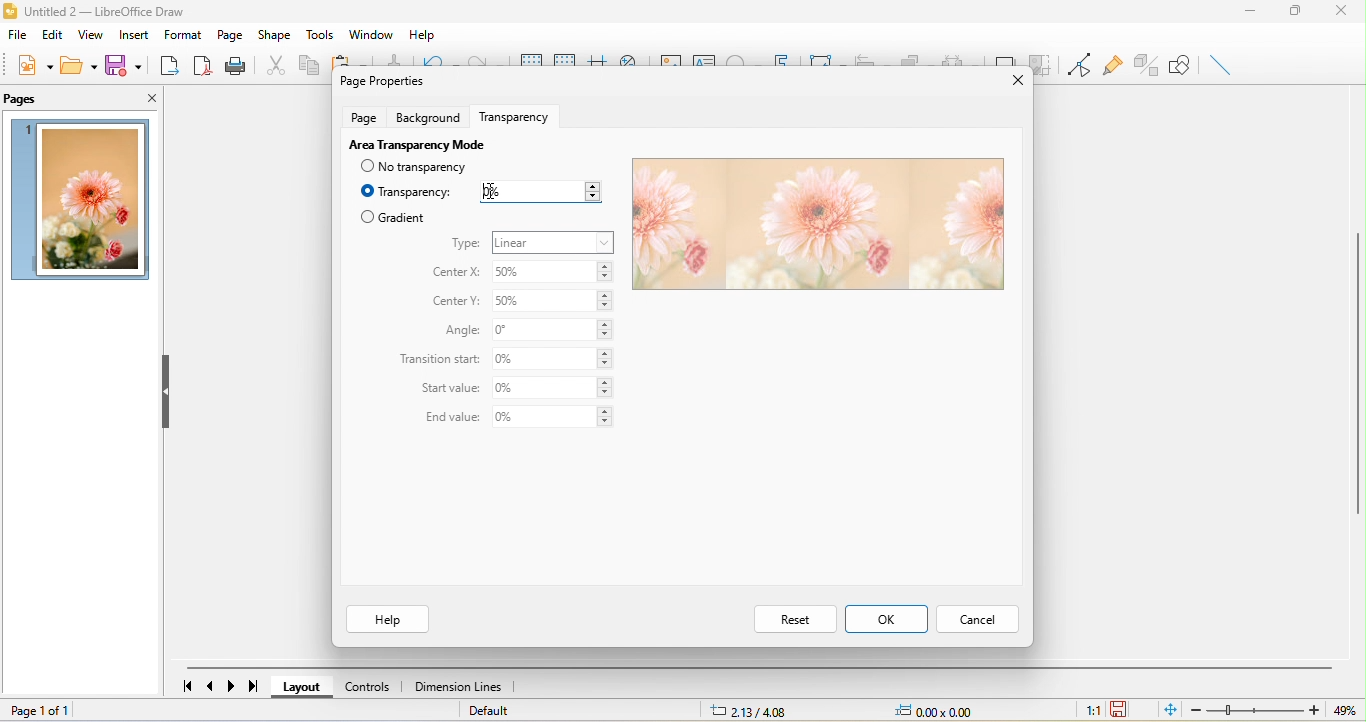  What do you see at coordinates (1357, 371) in the screenshot?
I see `vertical scroll bar` at bounding box center [1357, 371].